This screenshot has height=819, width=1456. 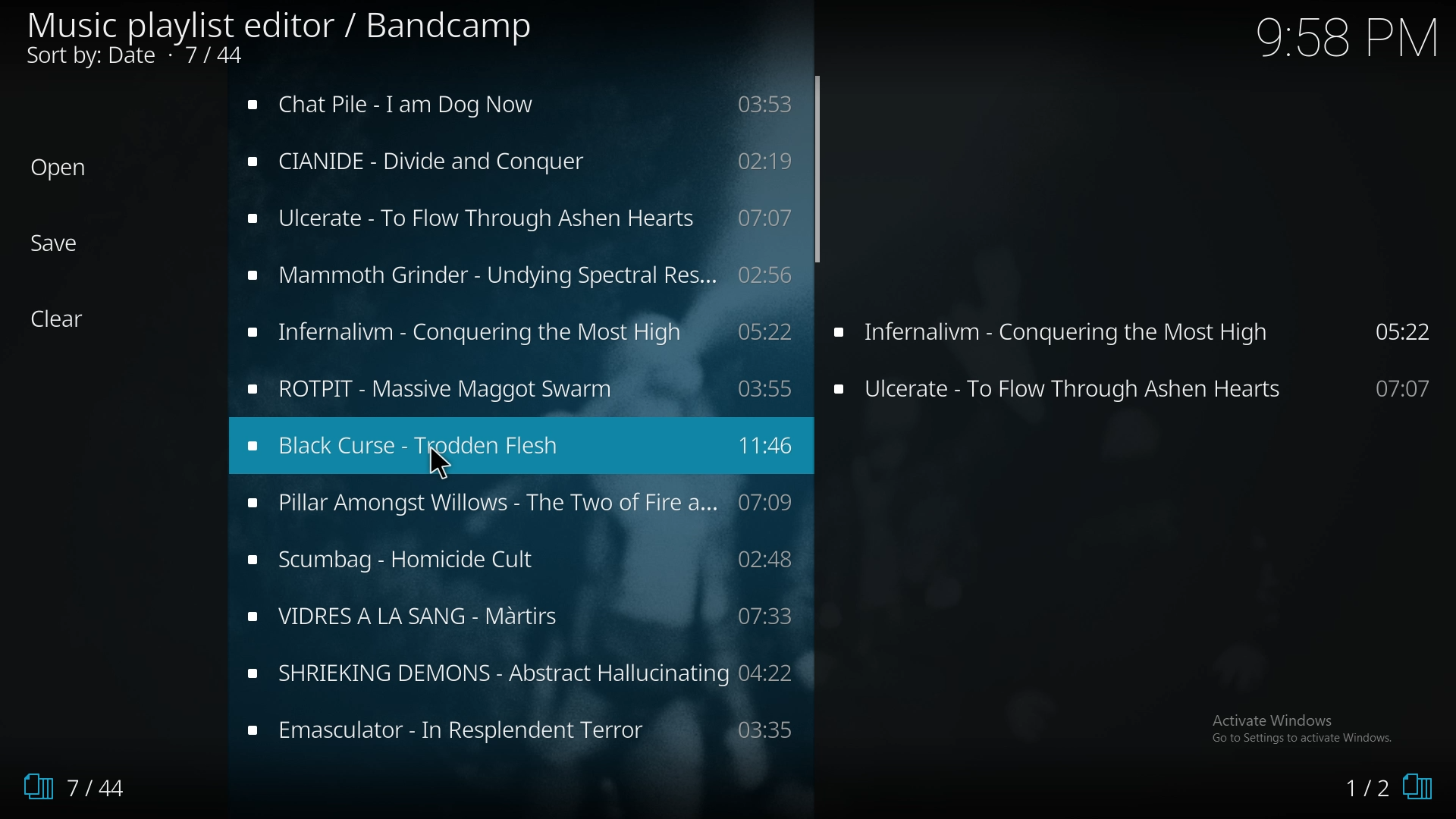 I want to click on 7/44, so click(x=68, y=787).